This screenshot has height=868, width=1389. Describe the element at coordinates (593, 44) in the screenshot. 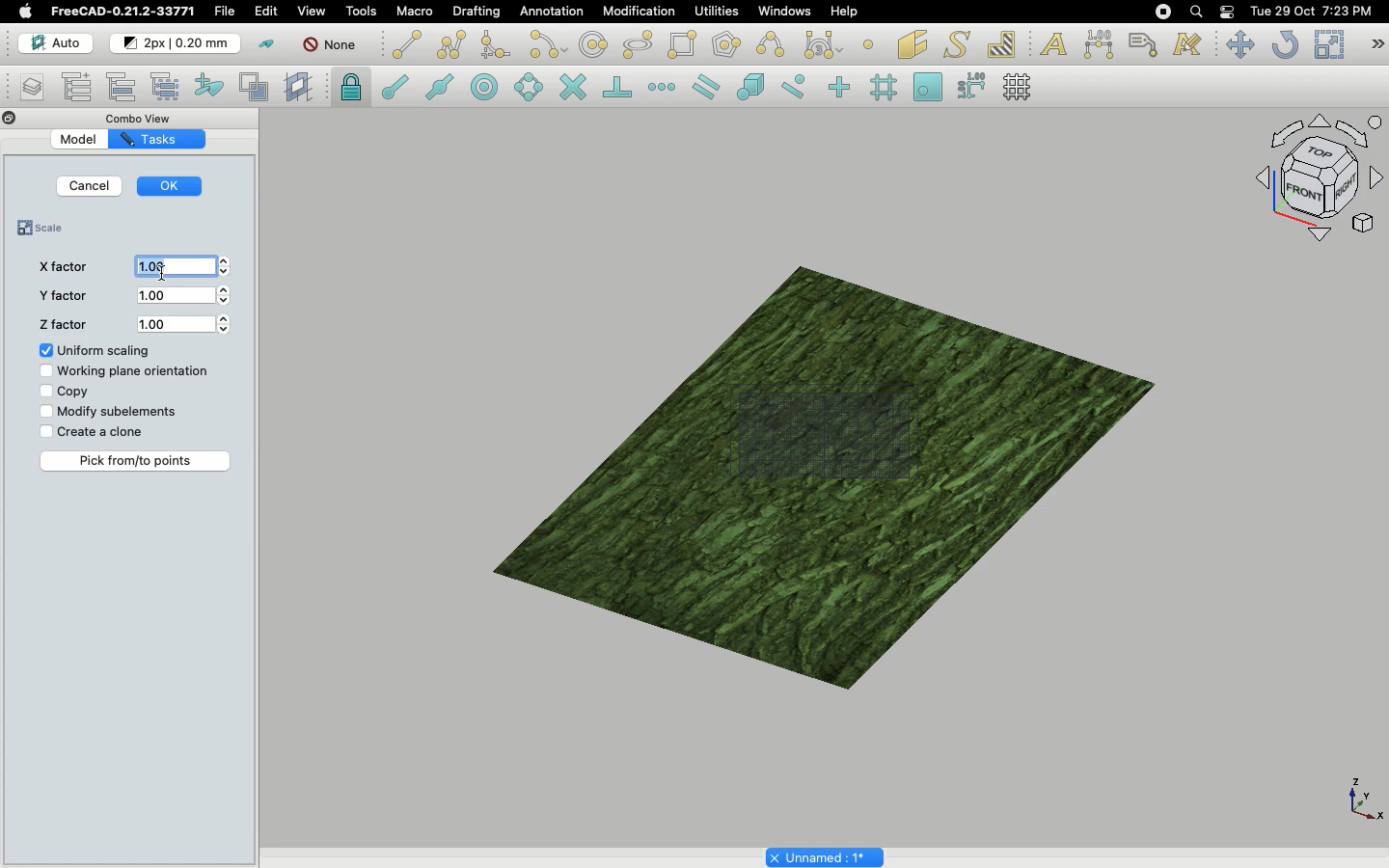

I see `Circle` at that location.